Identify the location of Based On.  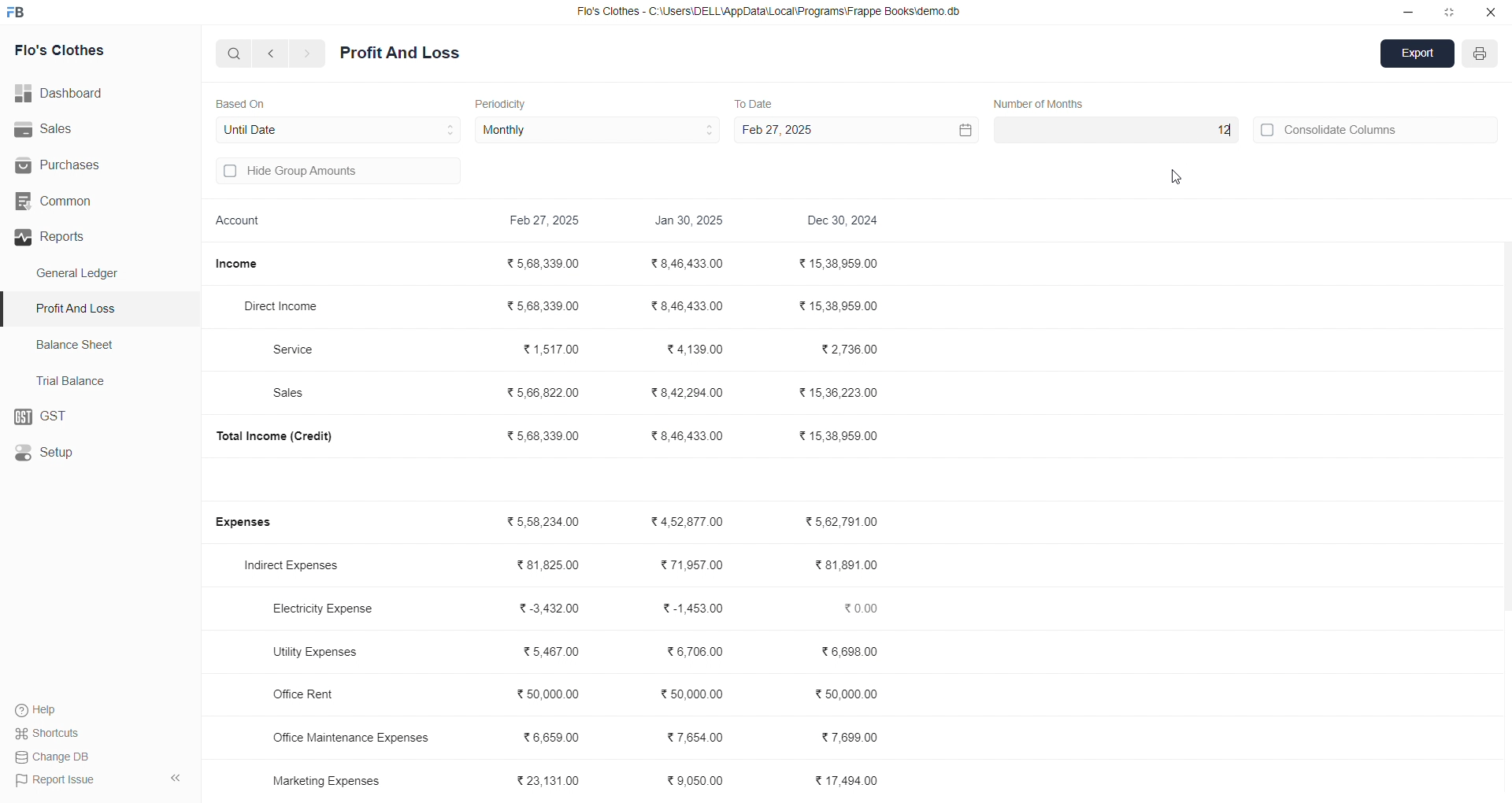
(244, 102).